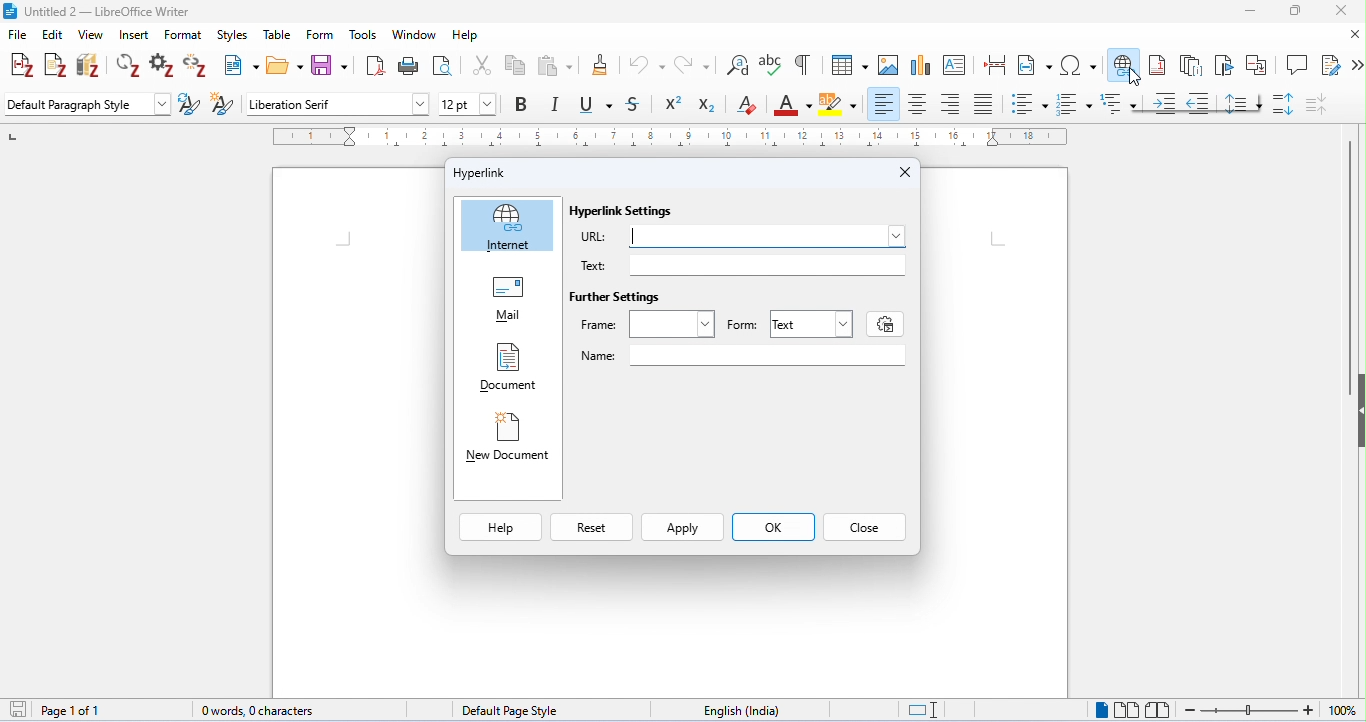  Describe the element at coordinates (73, 711) in the screenshot. I see `page 1 of 1` at that location.